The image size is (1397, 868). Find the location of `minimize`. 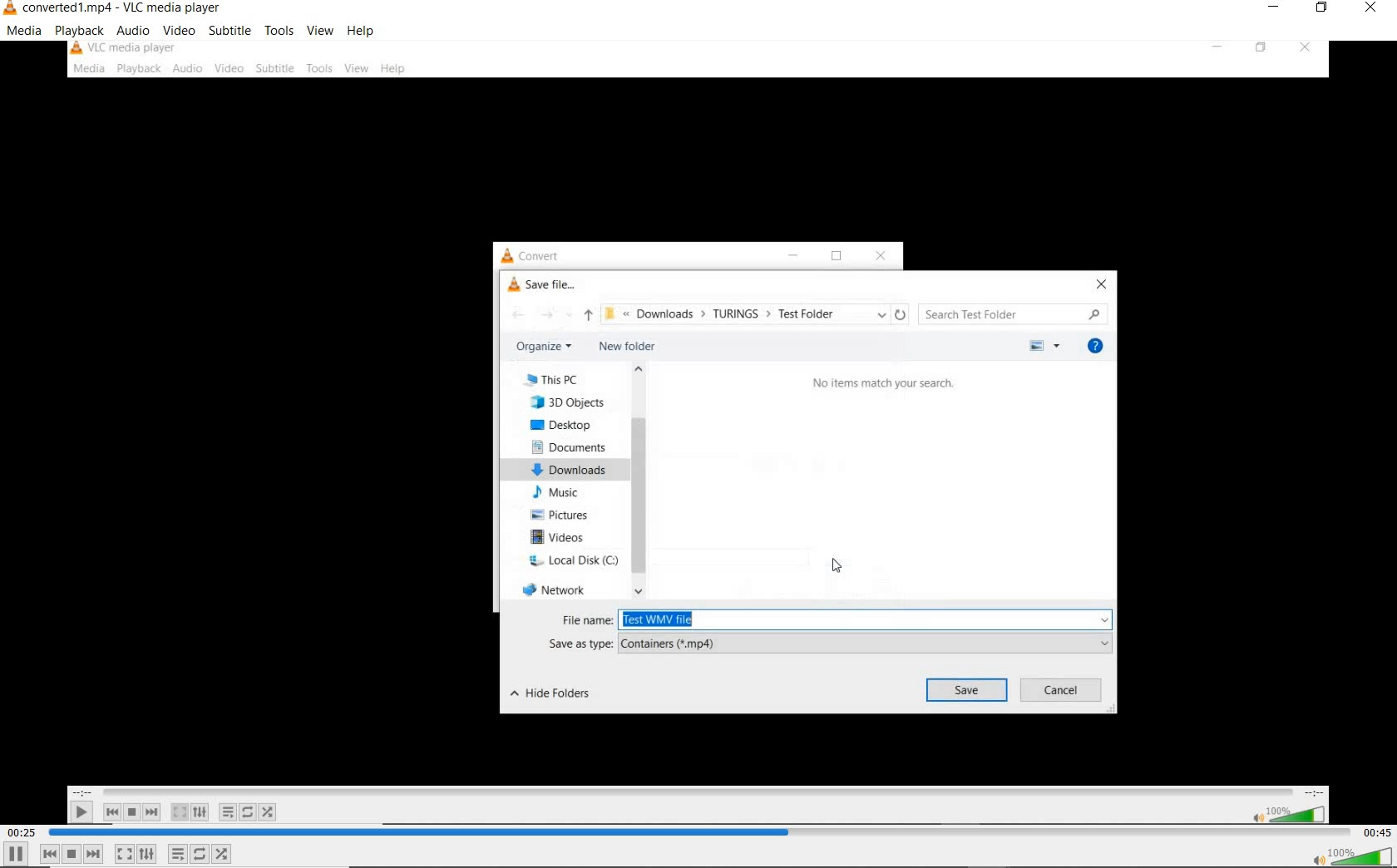

minimize is located at coordinates (1274, 7).